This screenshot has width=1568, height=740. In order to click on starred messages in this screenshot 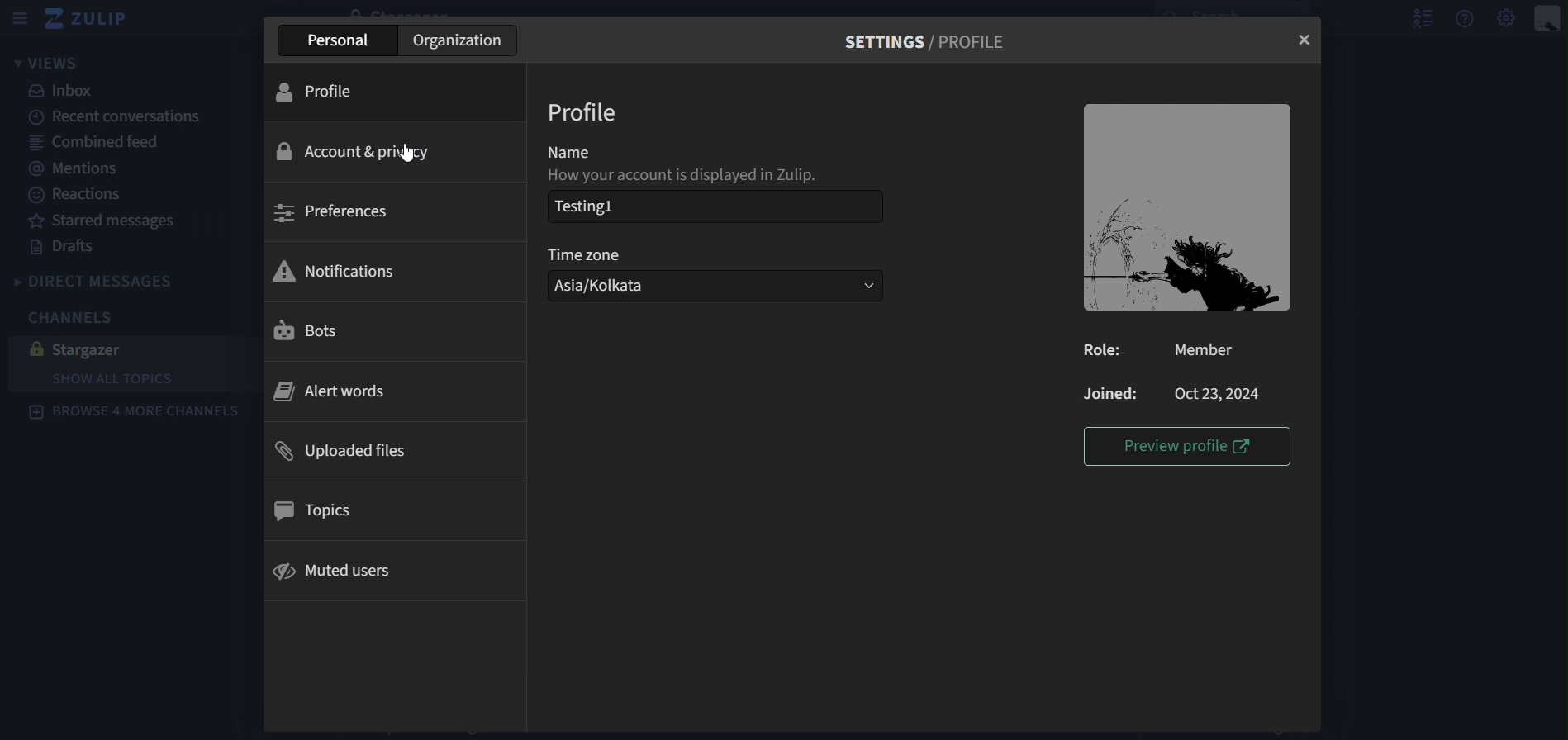, I will do `click(111, 221)`.